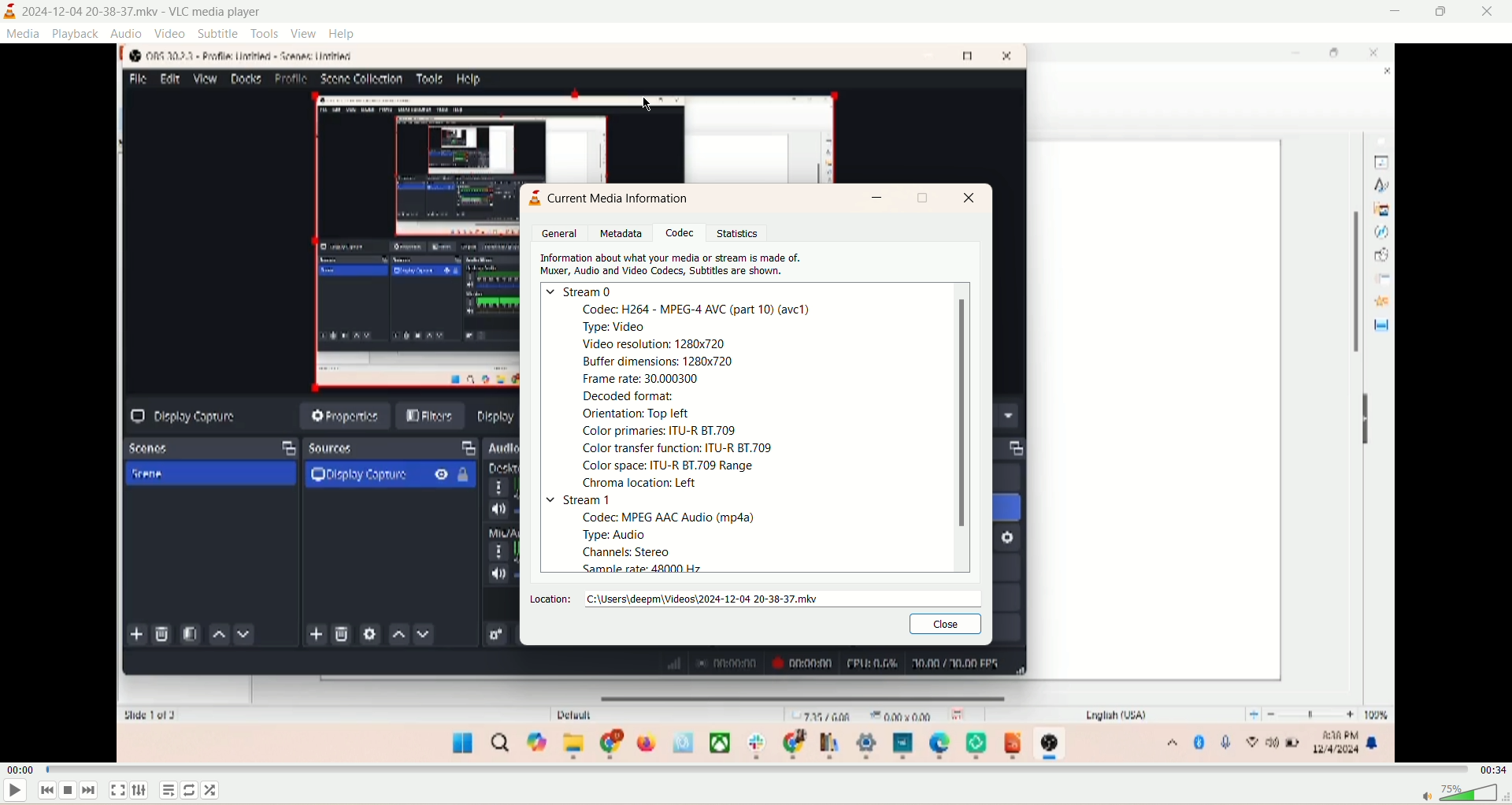 The width and height of the screenshot is (1512, 805). Describe the element at coordinates (558, 233) in the screenshot. I see `general` at that location.